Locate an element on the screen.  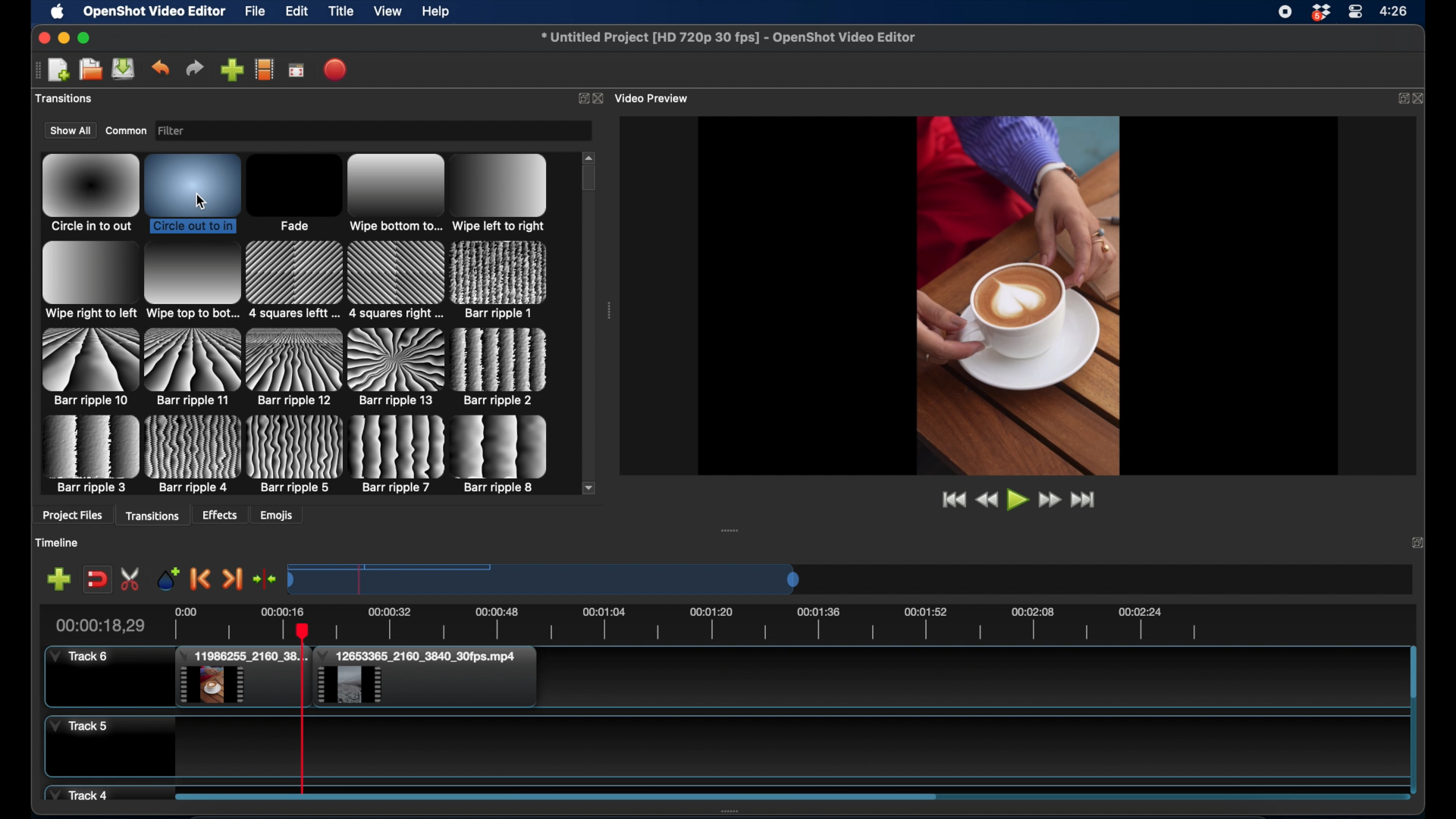
transition is located at coordinates (395, 280).